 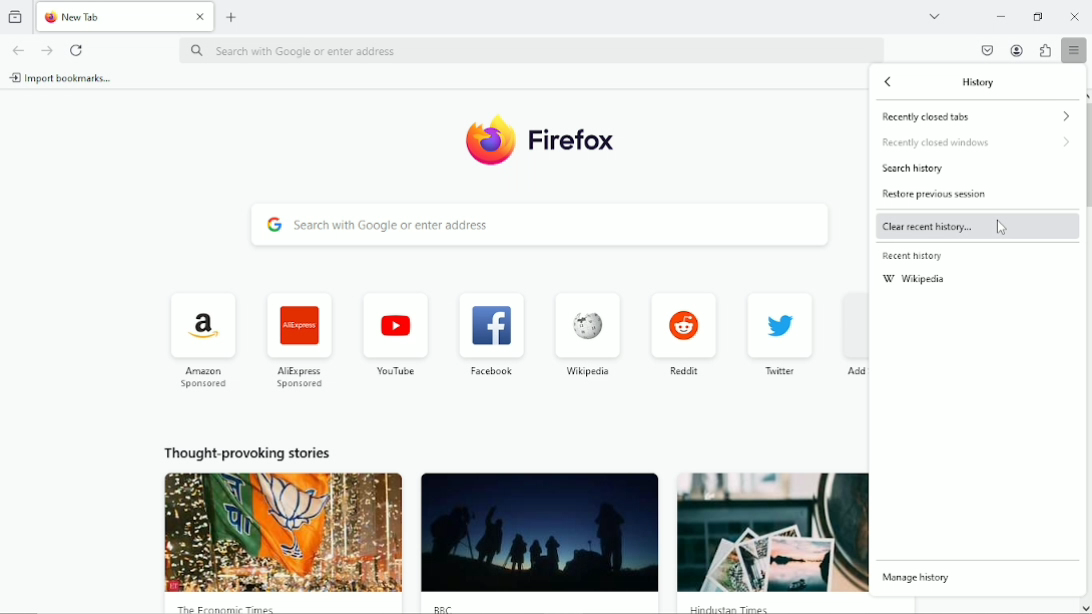 I want to click on Close, so click(x=1073, y=15).